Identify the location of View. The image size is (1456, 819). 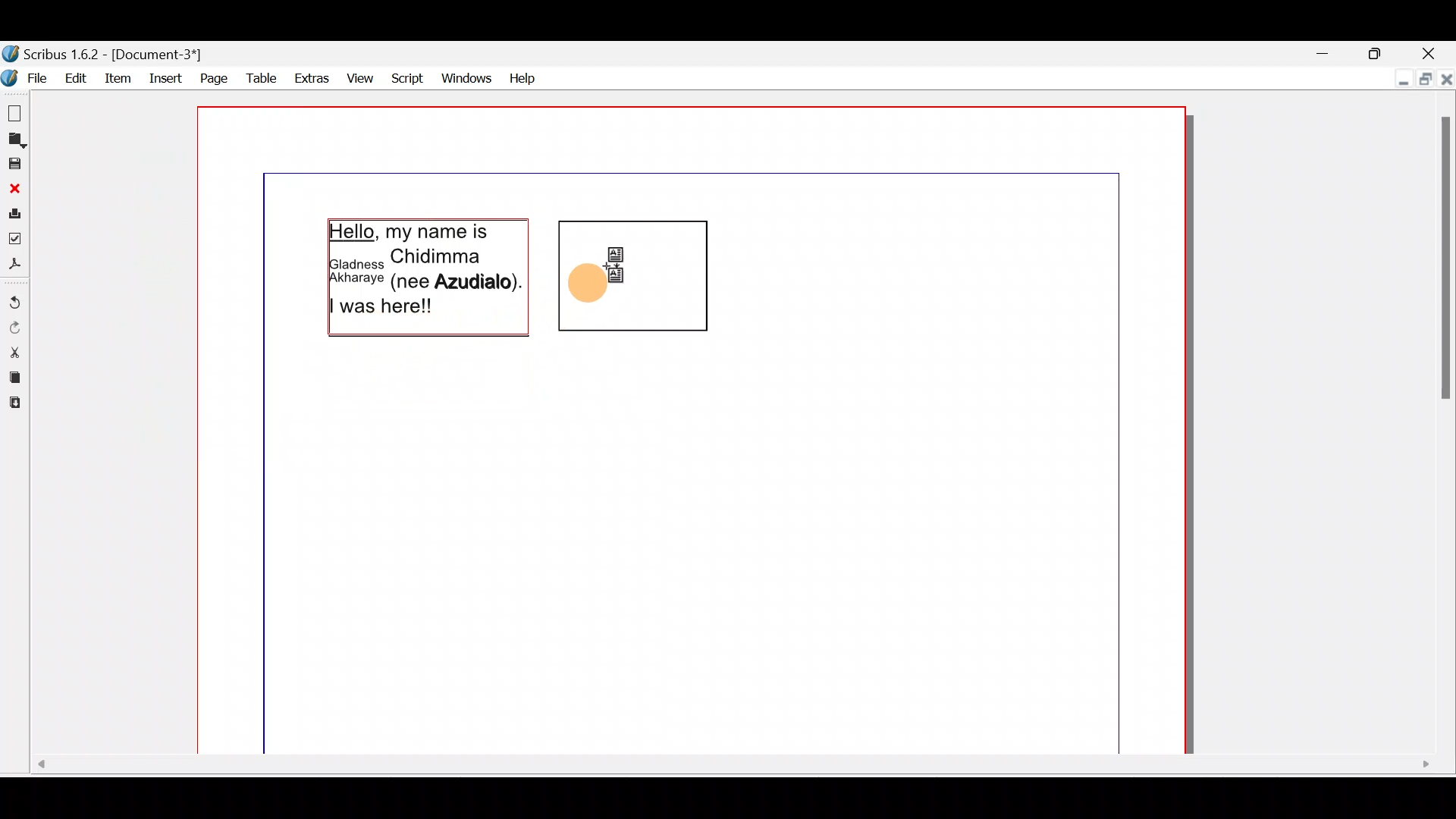
(362, 76).